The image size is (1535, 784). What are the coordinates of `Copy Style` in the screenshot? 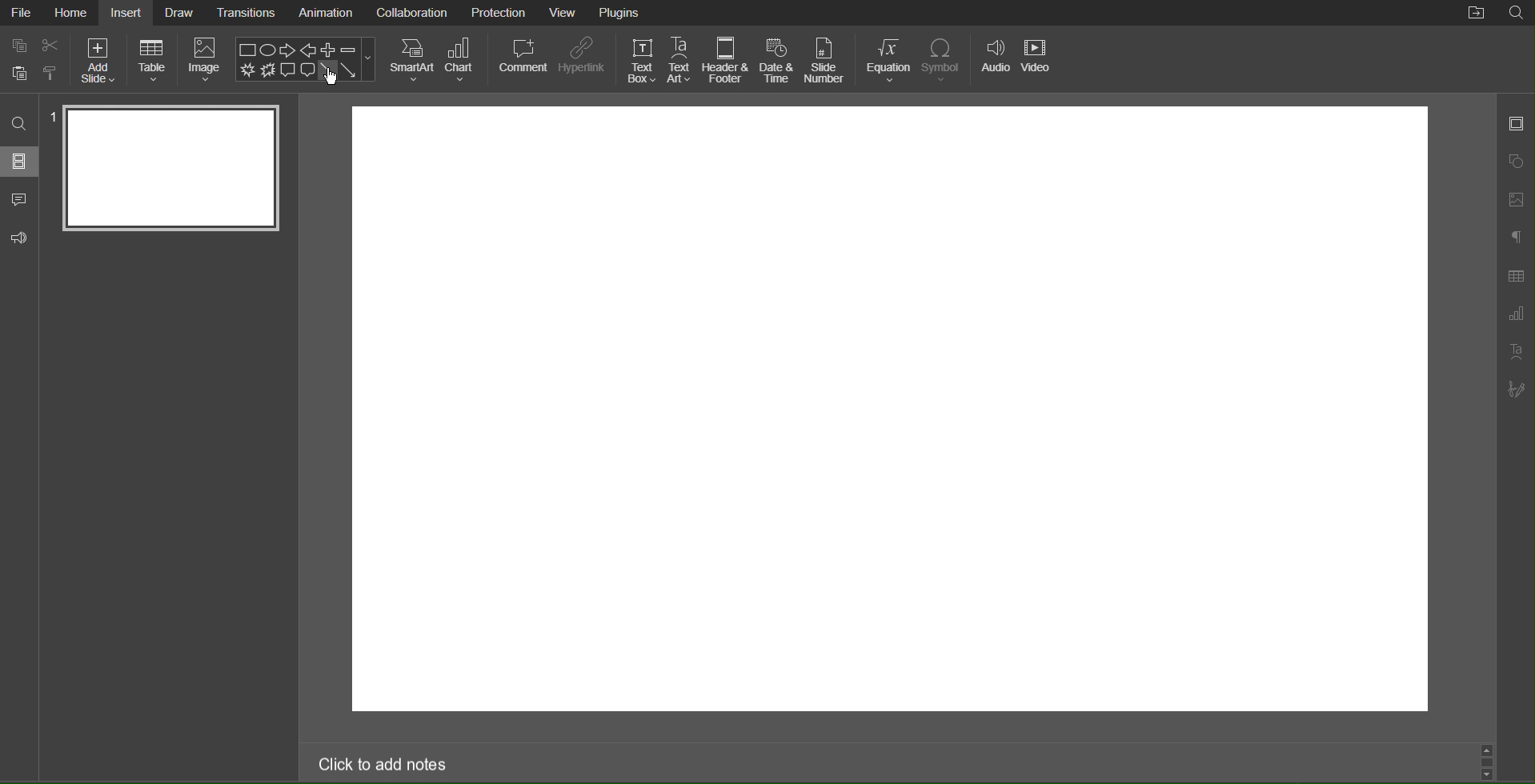 It's located at (54, 71).